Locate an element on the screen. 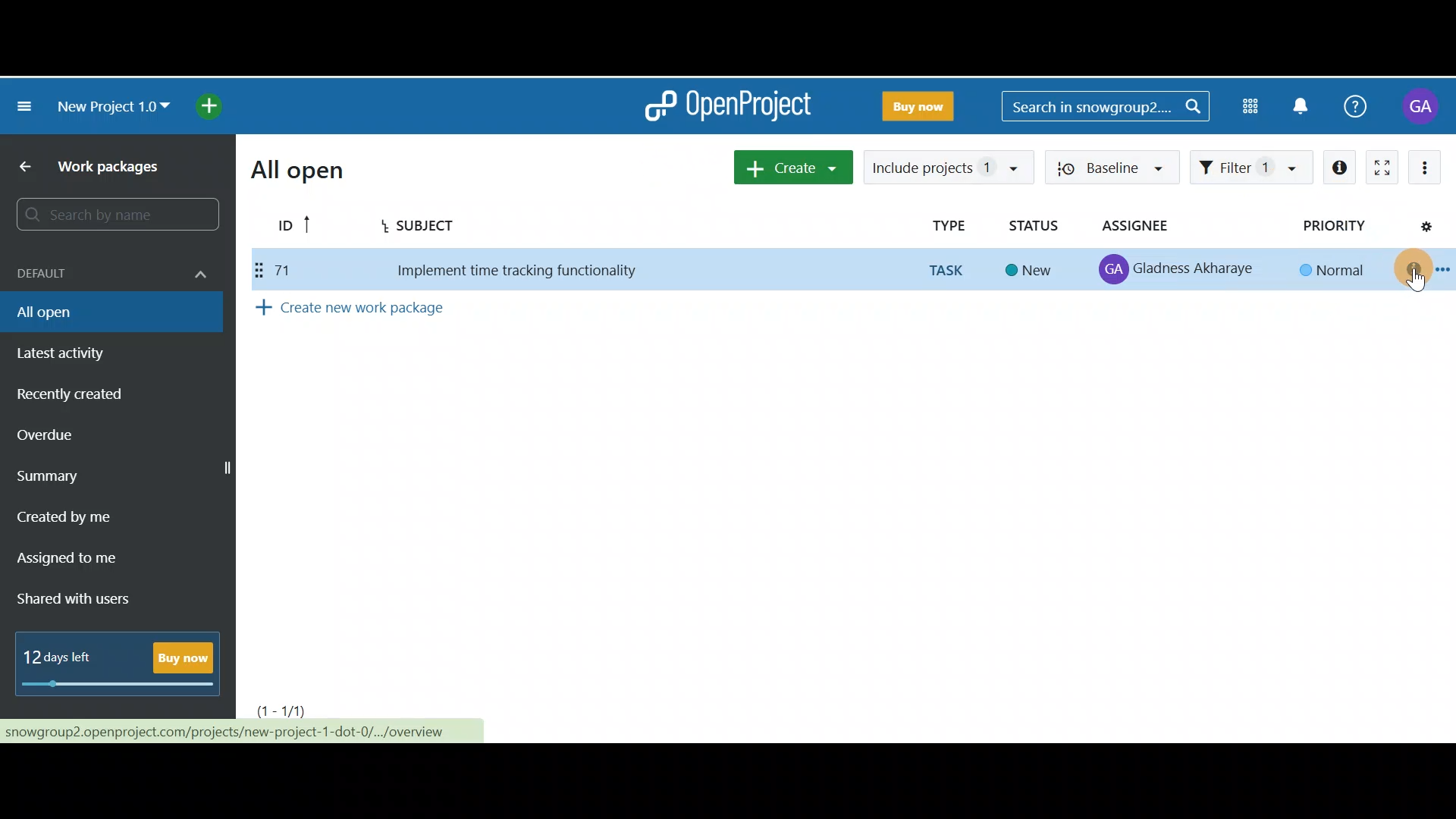  Search bar is located at coordinates (1104, 106).